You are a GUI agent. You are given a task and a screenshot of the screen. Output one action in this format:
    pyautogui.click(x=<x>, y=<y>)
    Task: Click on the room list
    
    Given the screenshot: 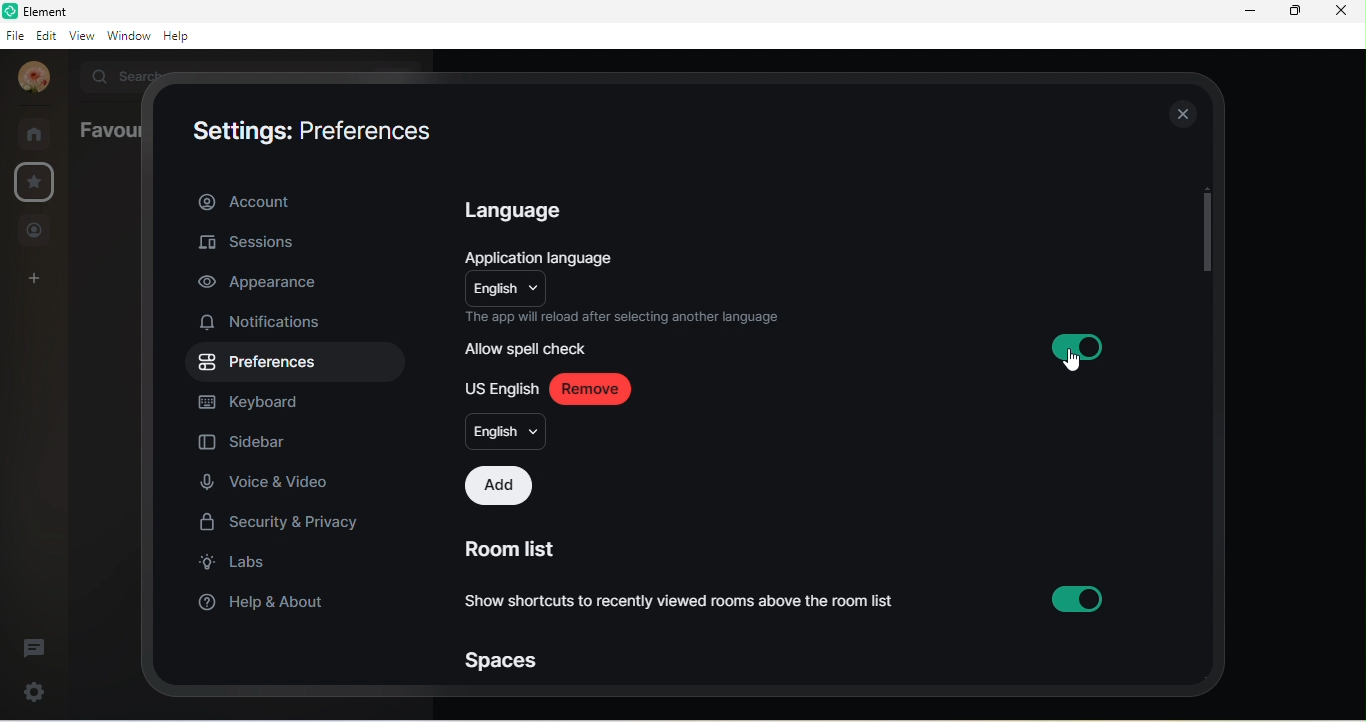 What is the action you would take?
    pyautogui.click(x=522, y=550)
    